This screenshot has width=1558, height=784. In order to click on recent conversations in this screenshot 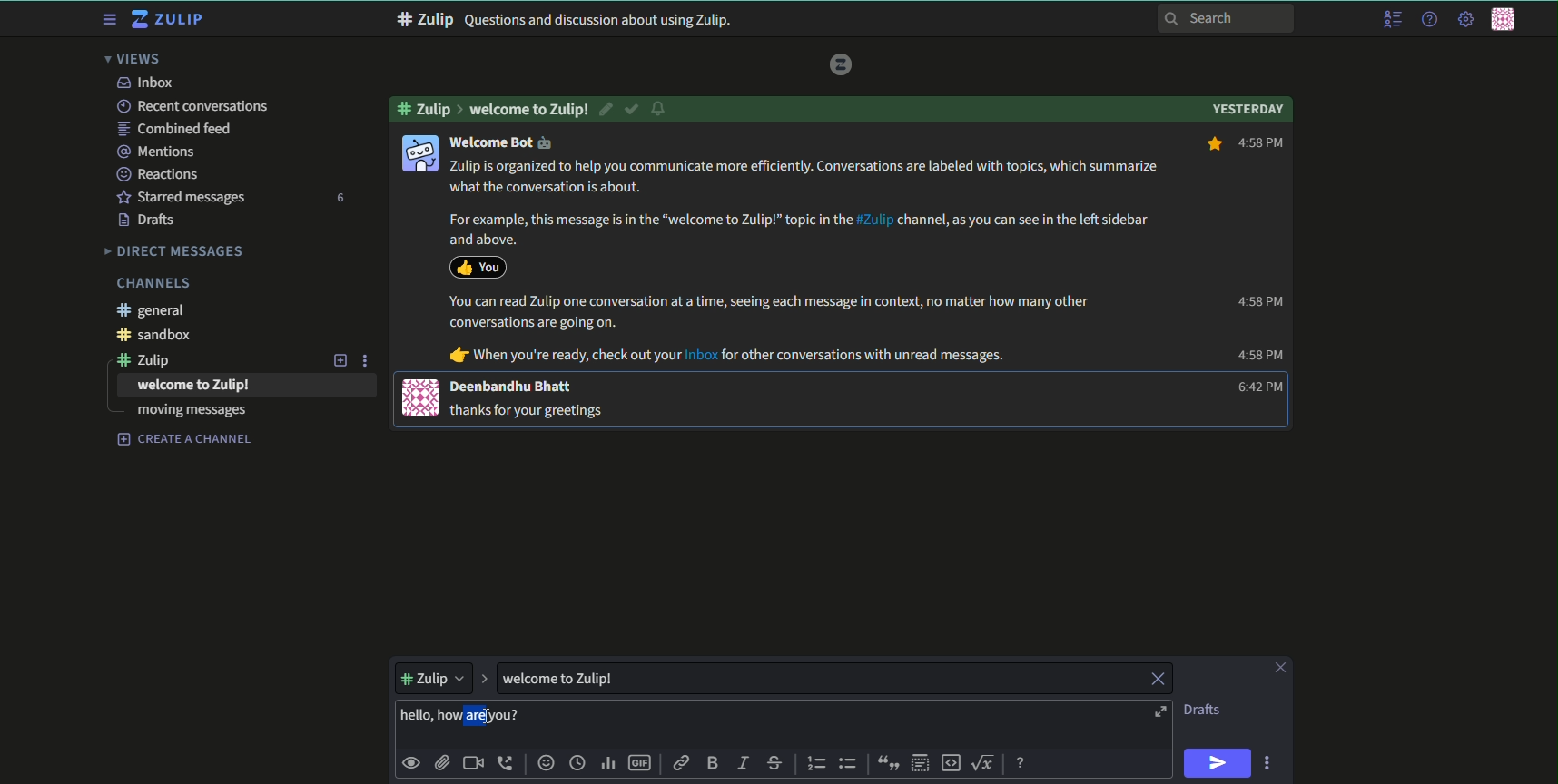, I will do `click(192, 106)`.